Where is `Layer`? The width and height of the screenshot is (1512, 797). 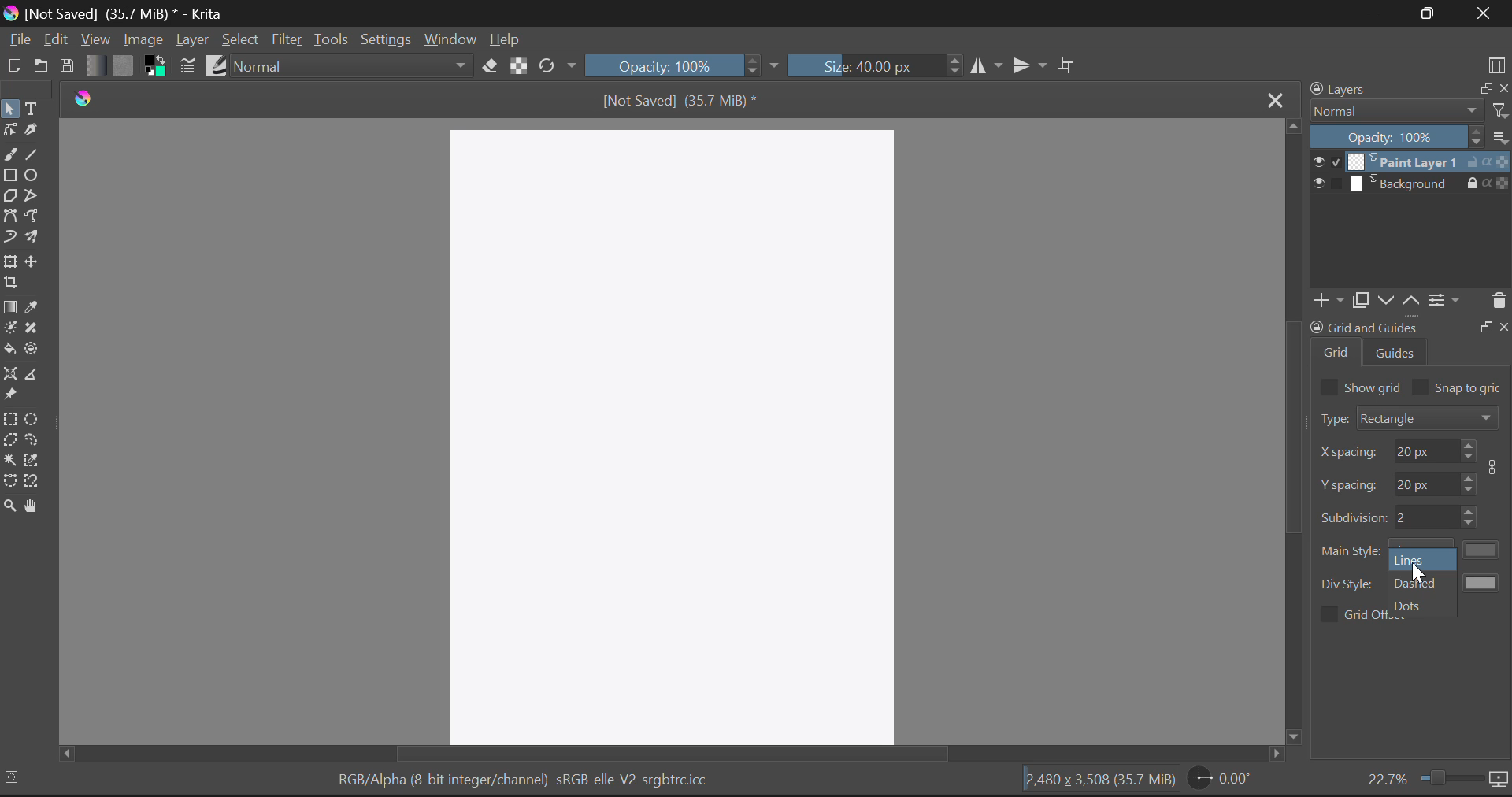
Layer is located at coordinates (193, 40).